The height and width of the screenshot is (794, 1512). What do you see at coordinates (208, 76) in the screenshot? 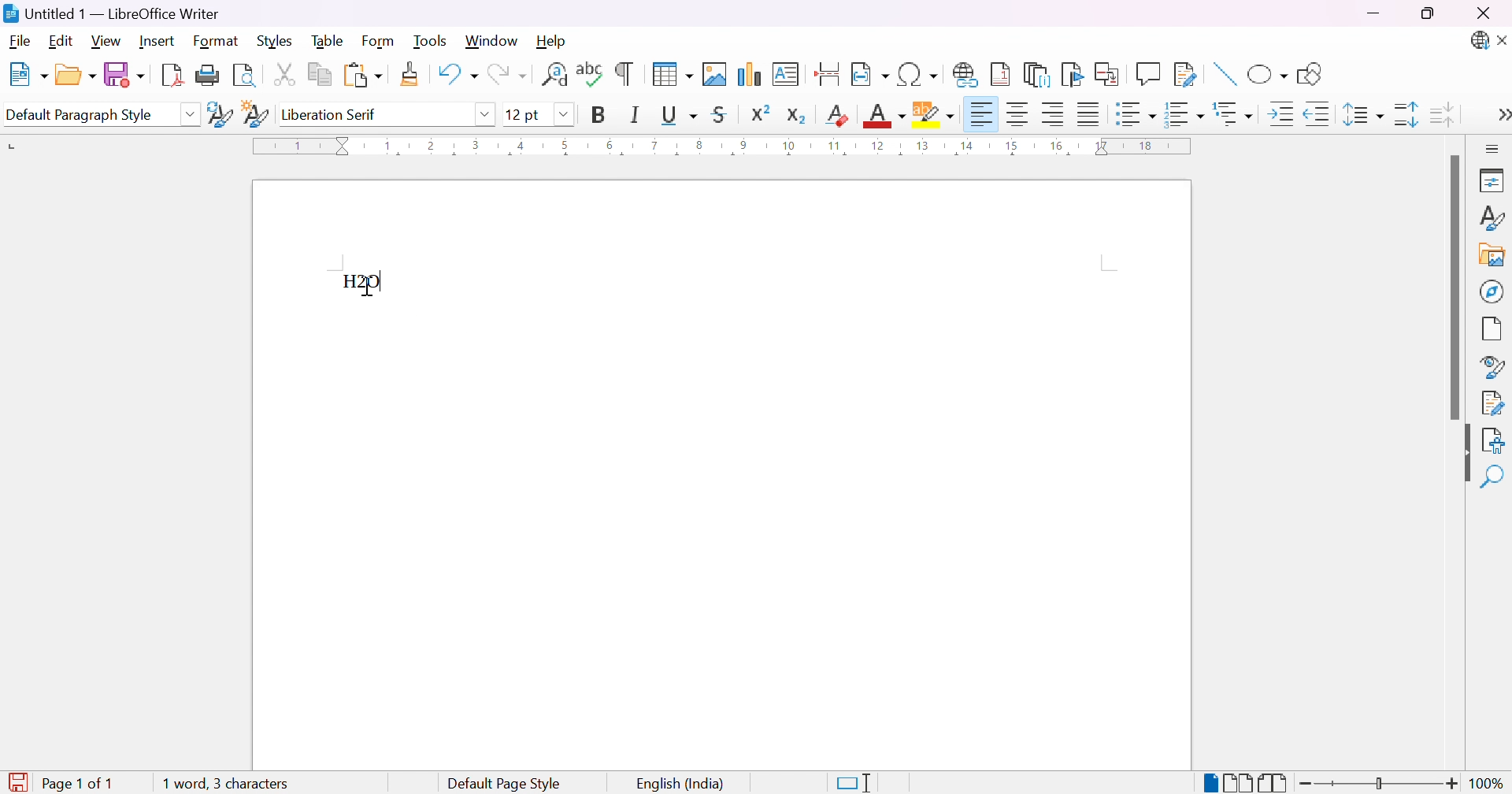
I see `Print` at bounding box center [208, 76].